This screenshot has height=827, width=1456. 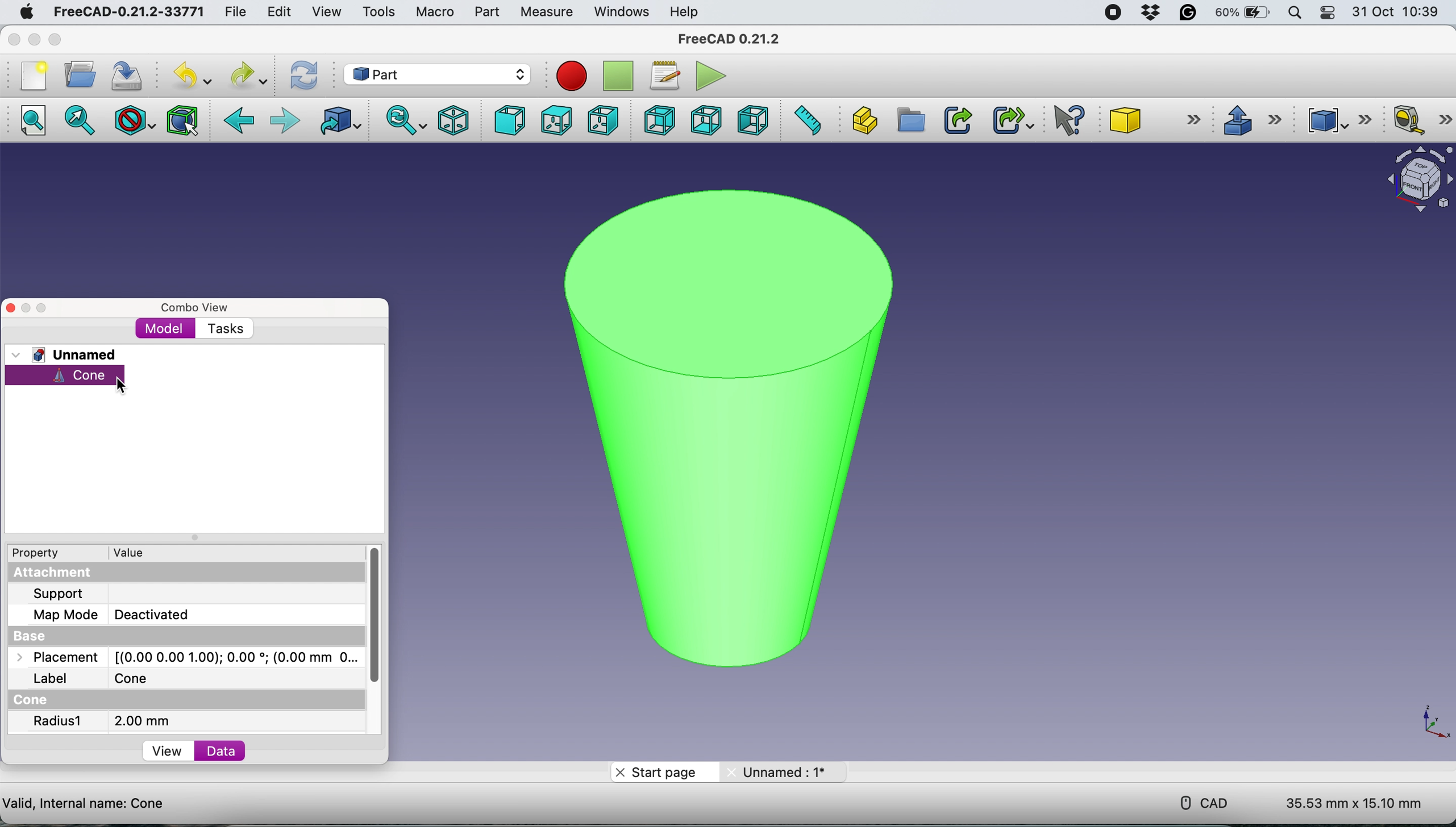 What do you see at coordinates (101, 679) in the screenshot?
I see `label: Cone` at bounding box center [101, 679].